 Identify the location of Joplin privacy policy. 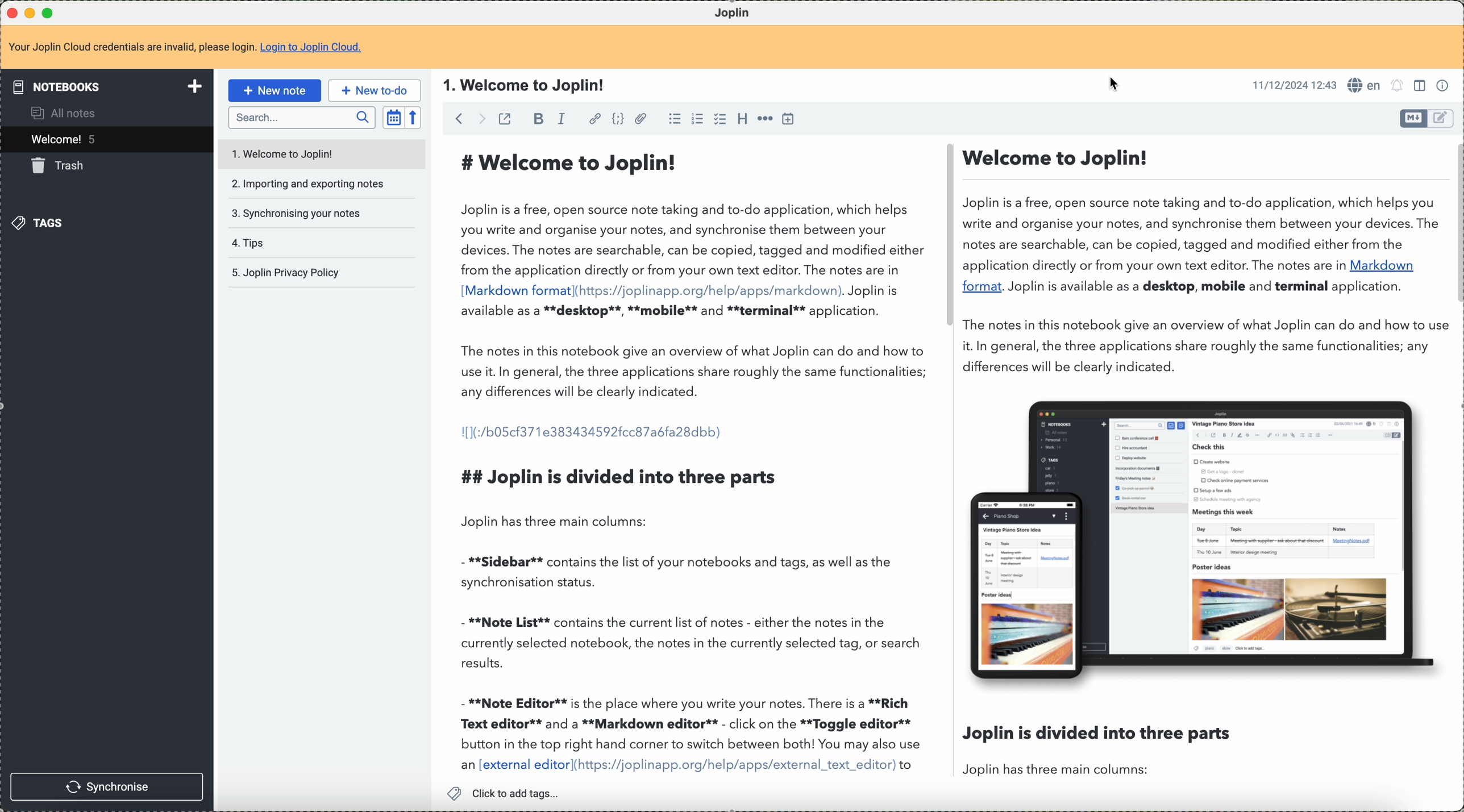
(285, 272).